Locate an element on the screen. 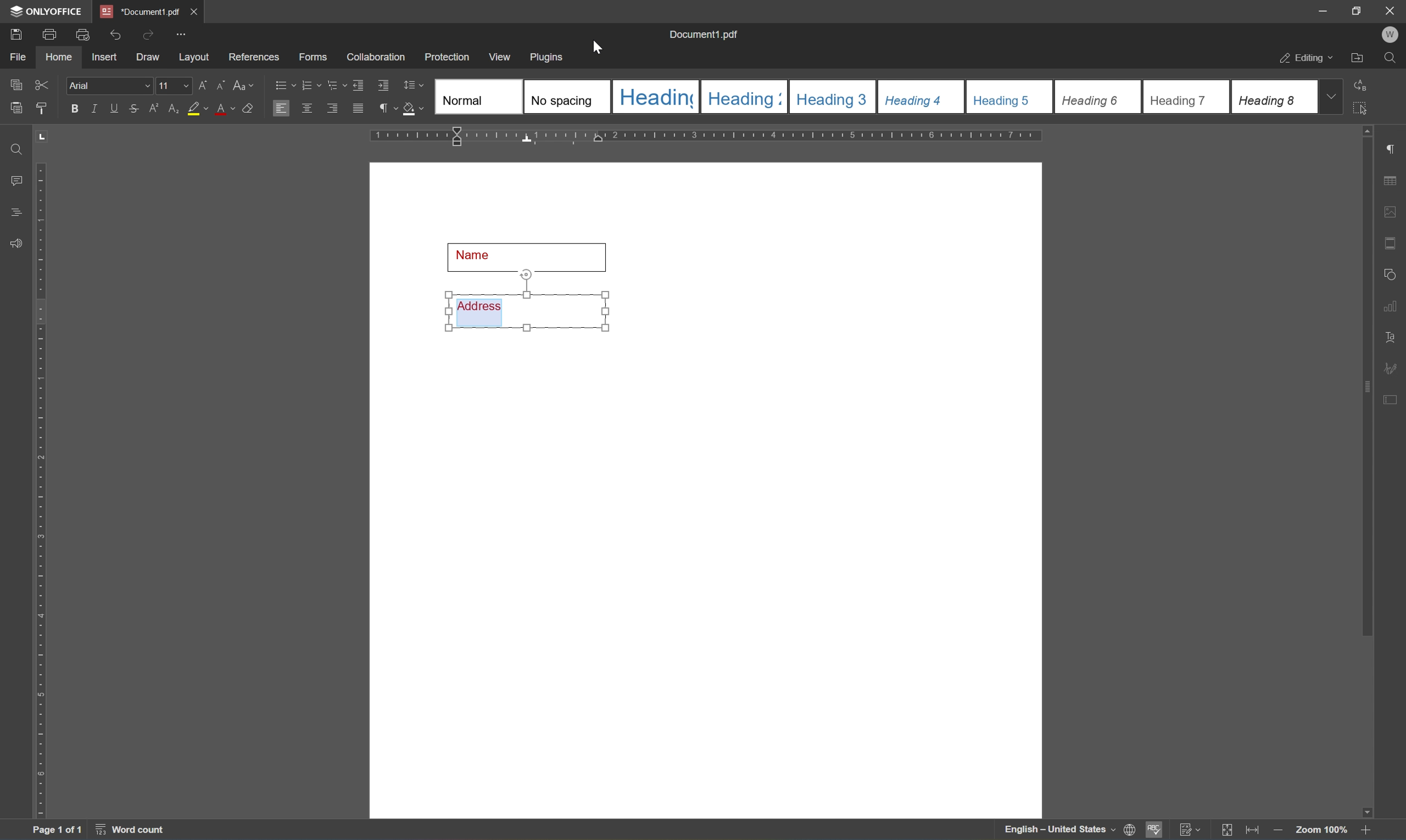  text art settings is located at coordinates (1392, 335).